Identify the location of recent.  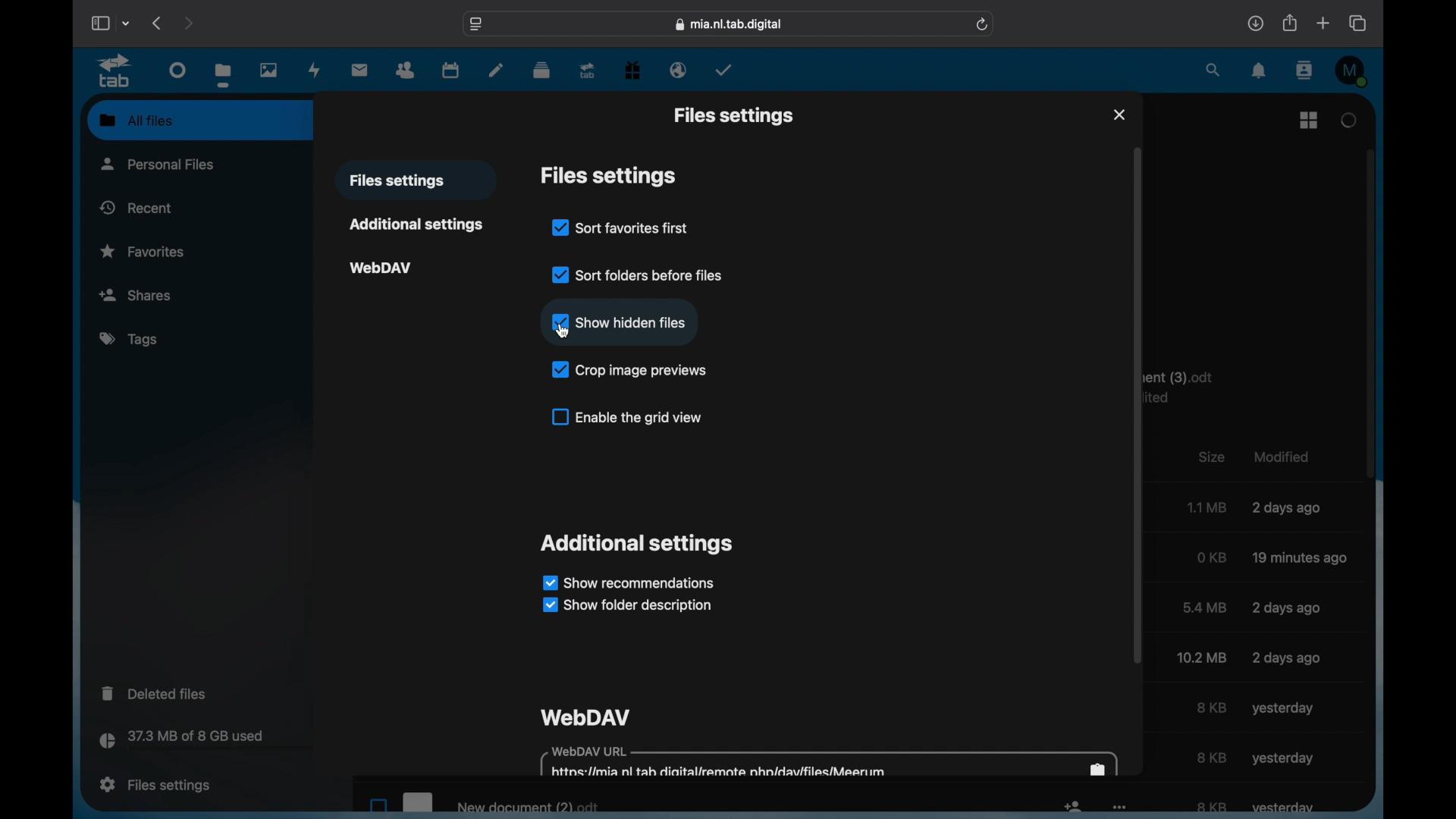
(136, 207).